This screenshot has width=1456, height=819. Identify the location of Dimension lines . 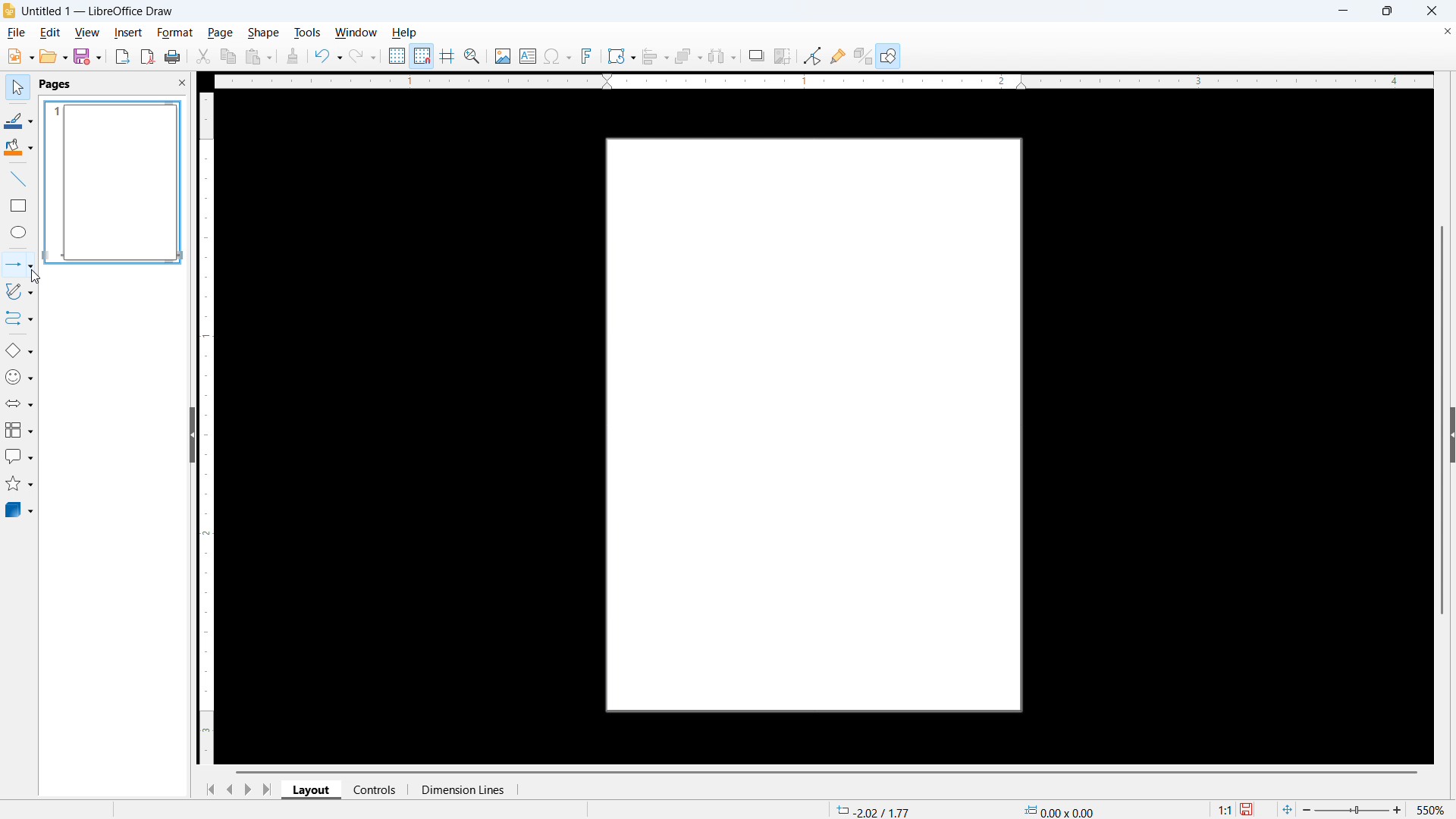
(462, 790).